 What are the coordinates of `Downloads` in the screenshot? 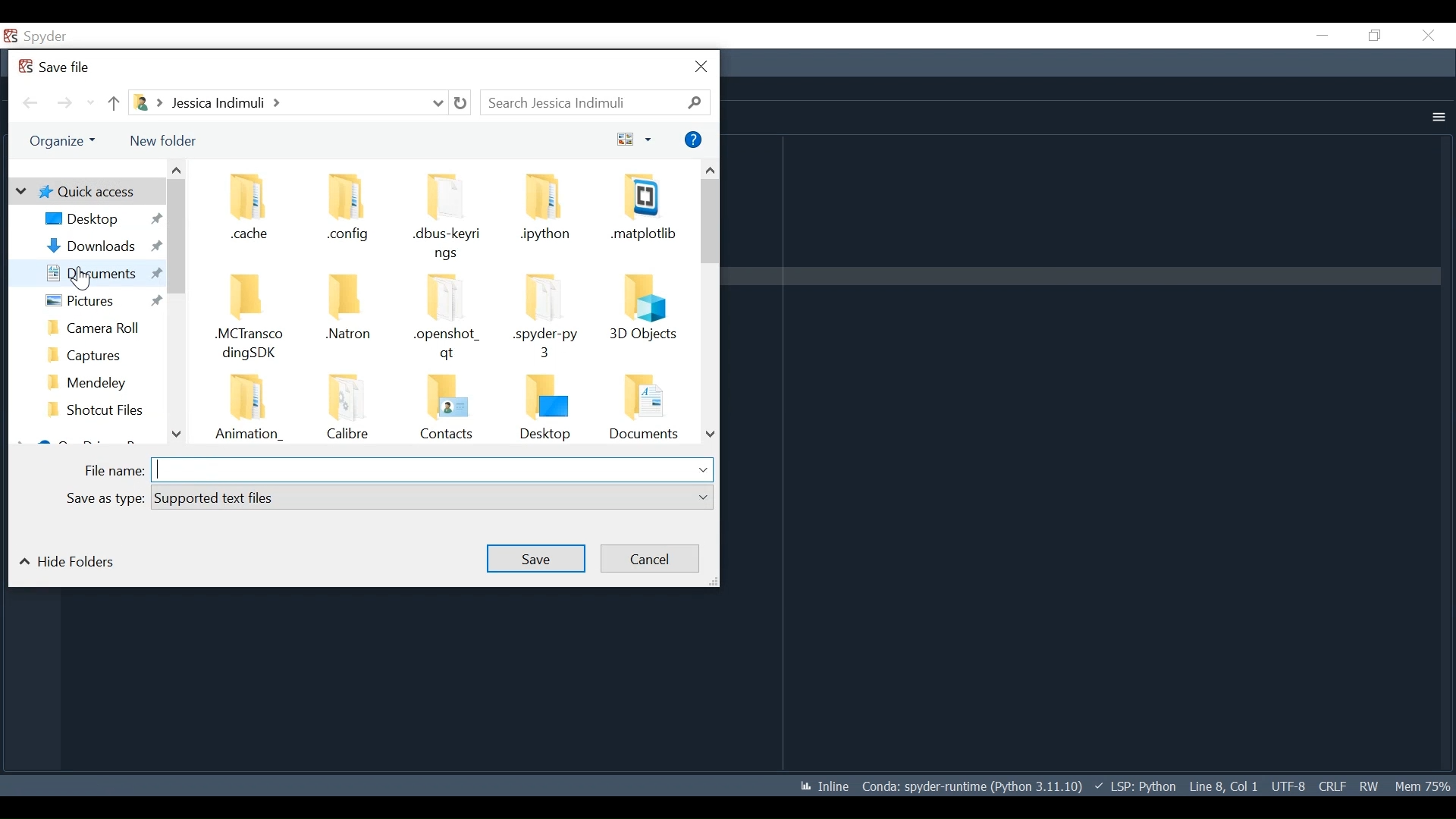 It's located at (99, 246).